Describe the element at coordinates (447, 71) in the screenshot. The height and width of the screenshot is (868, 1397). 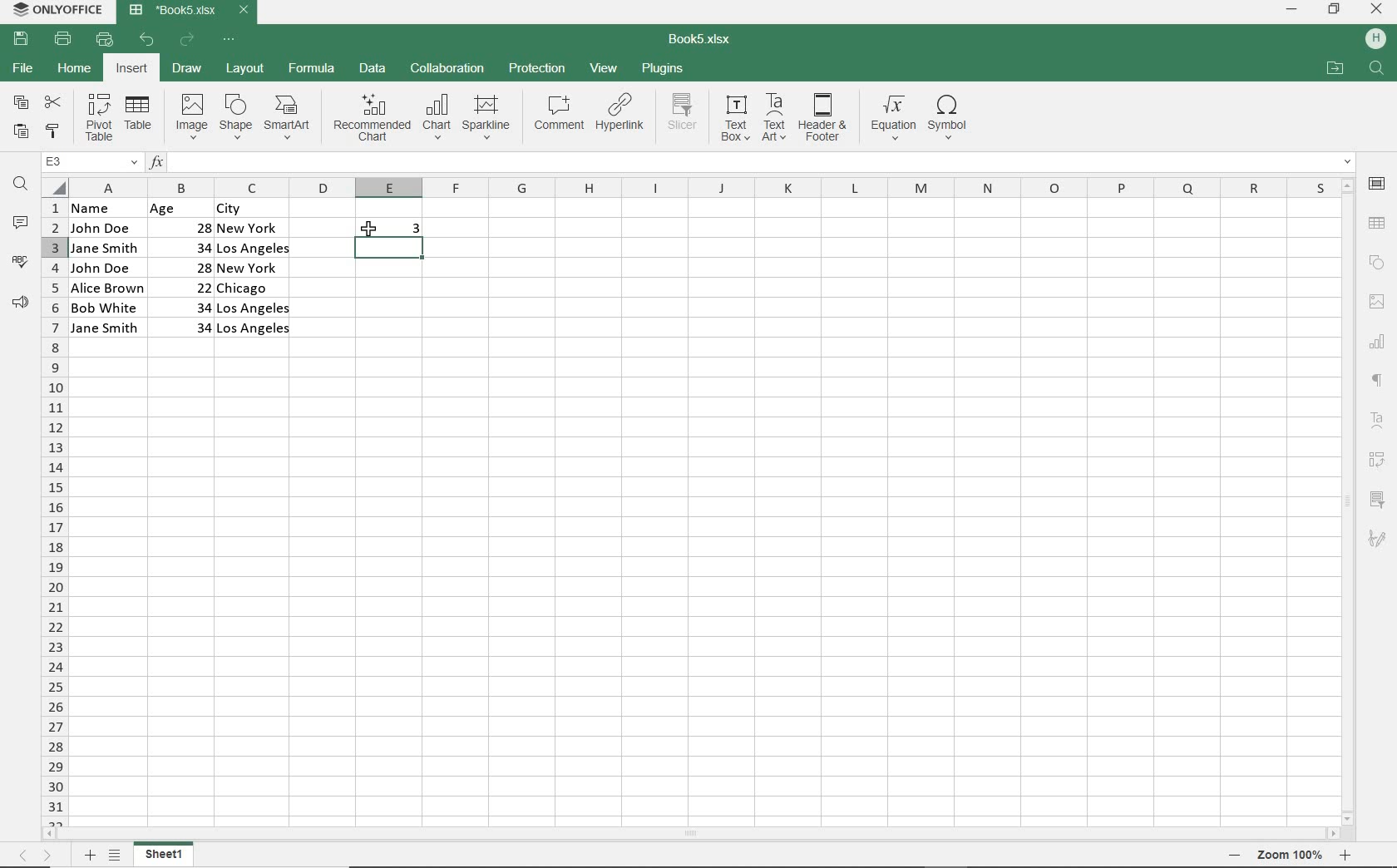
I see `COLLABORATION` at that location.